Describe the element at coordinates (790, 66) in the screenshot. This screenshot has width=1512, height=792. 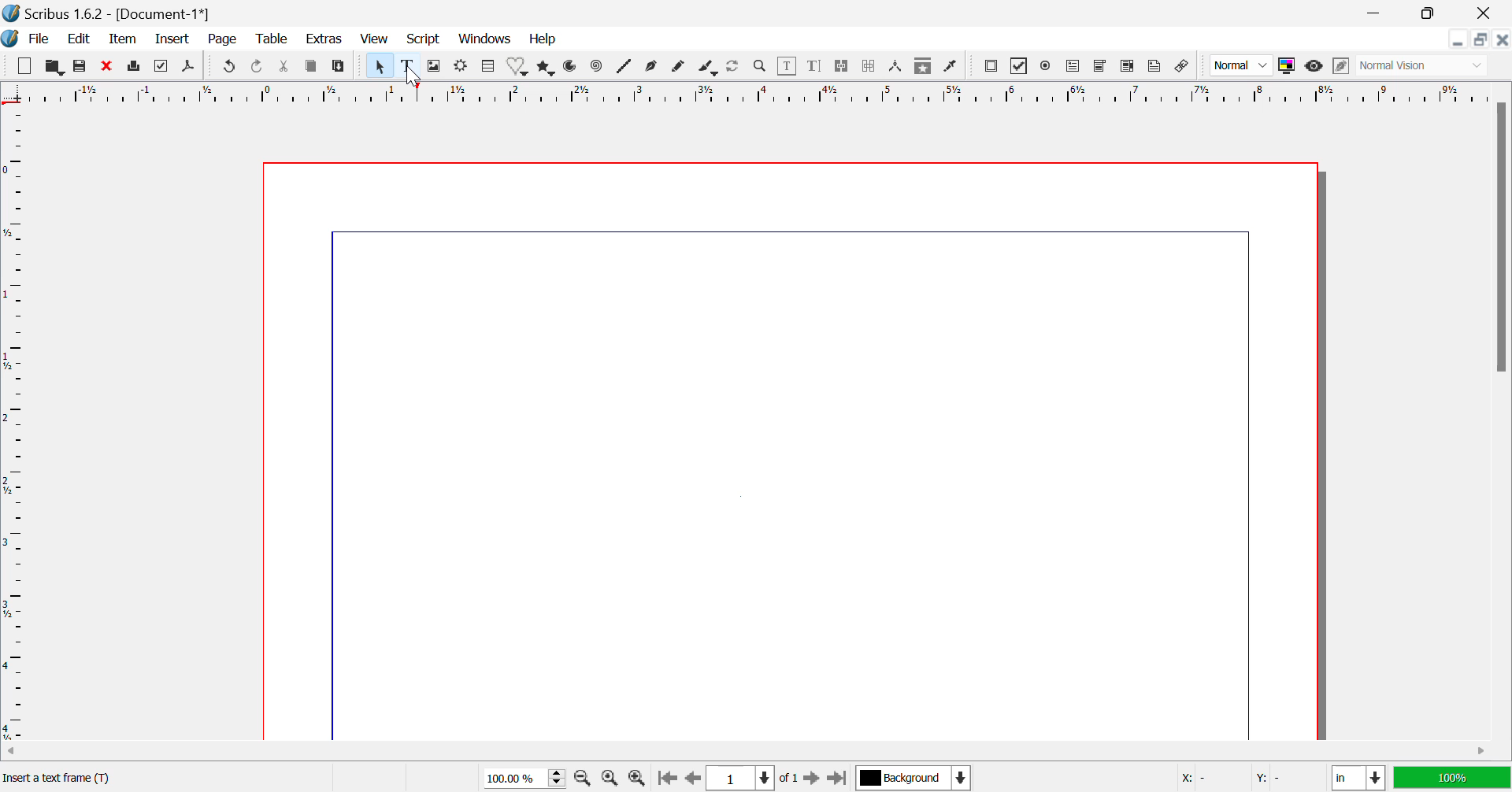
I see `Edit Content in Frames` at that location.